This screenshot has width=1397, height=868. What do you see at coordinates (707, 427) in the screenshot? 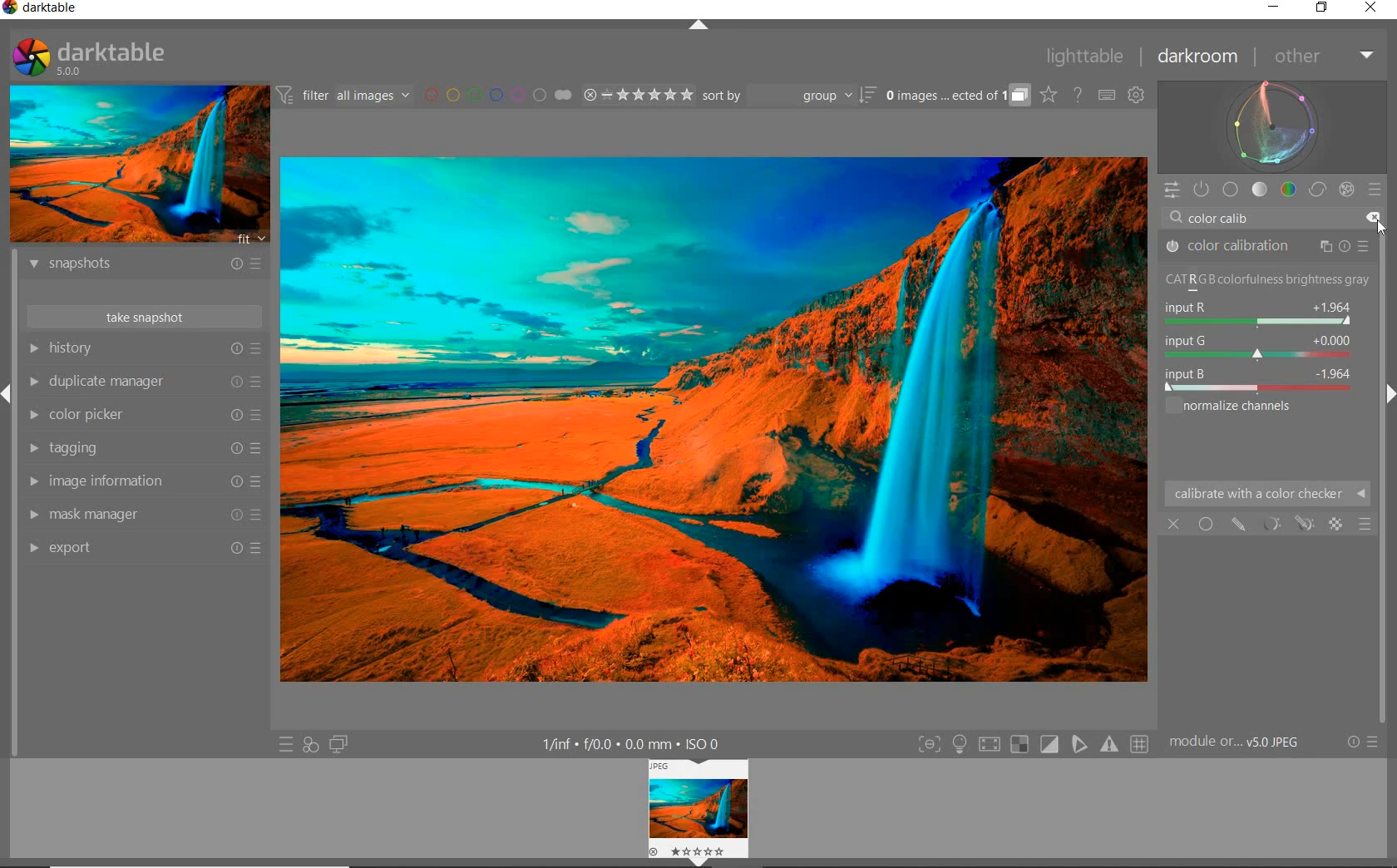
I see `SELECTED IMAGE` at bounding box center [707, 427].